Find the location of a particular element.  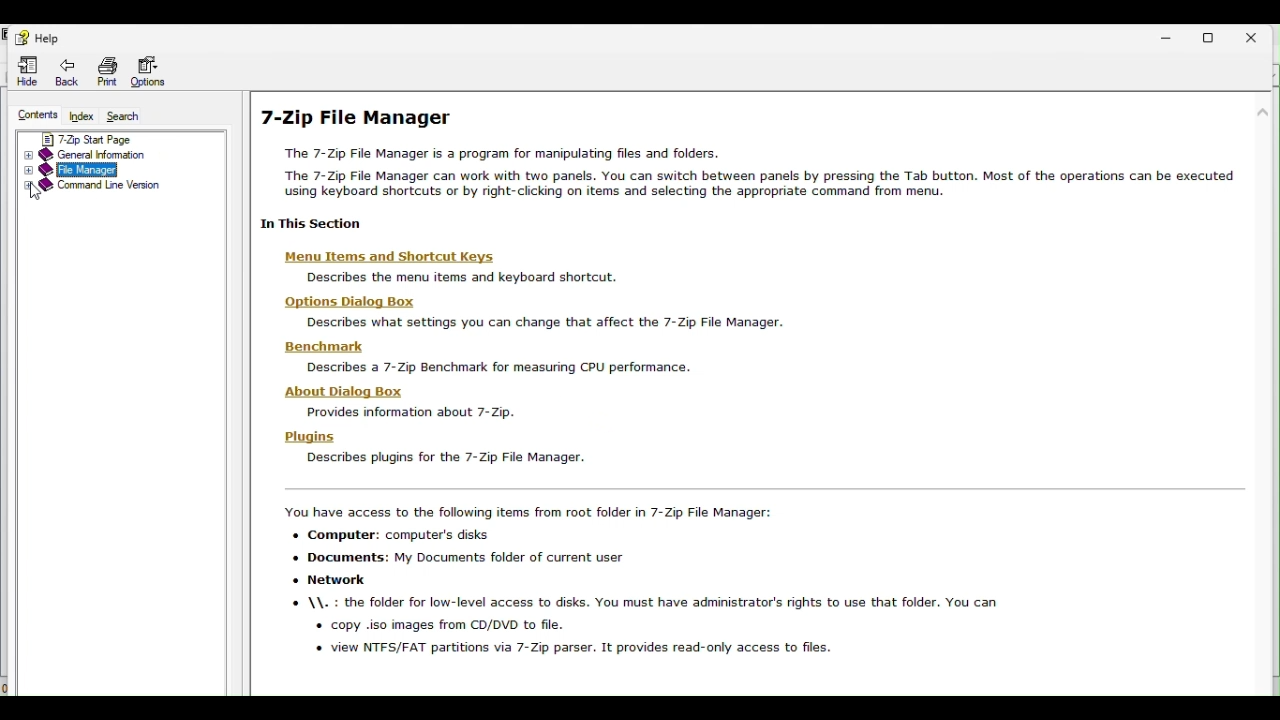

Contents is located at coordinates (35, 112).